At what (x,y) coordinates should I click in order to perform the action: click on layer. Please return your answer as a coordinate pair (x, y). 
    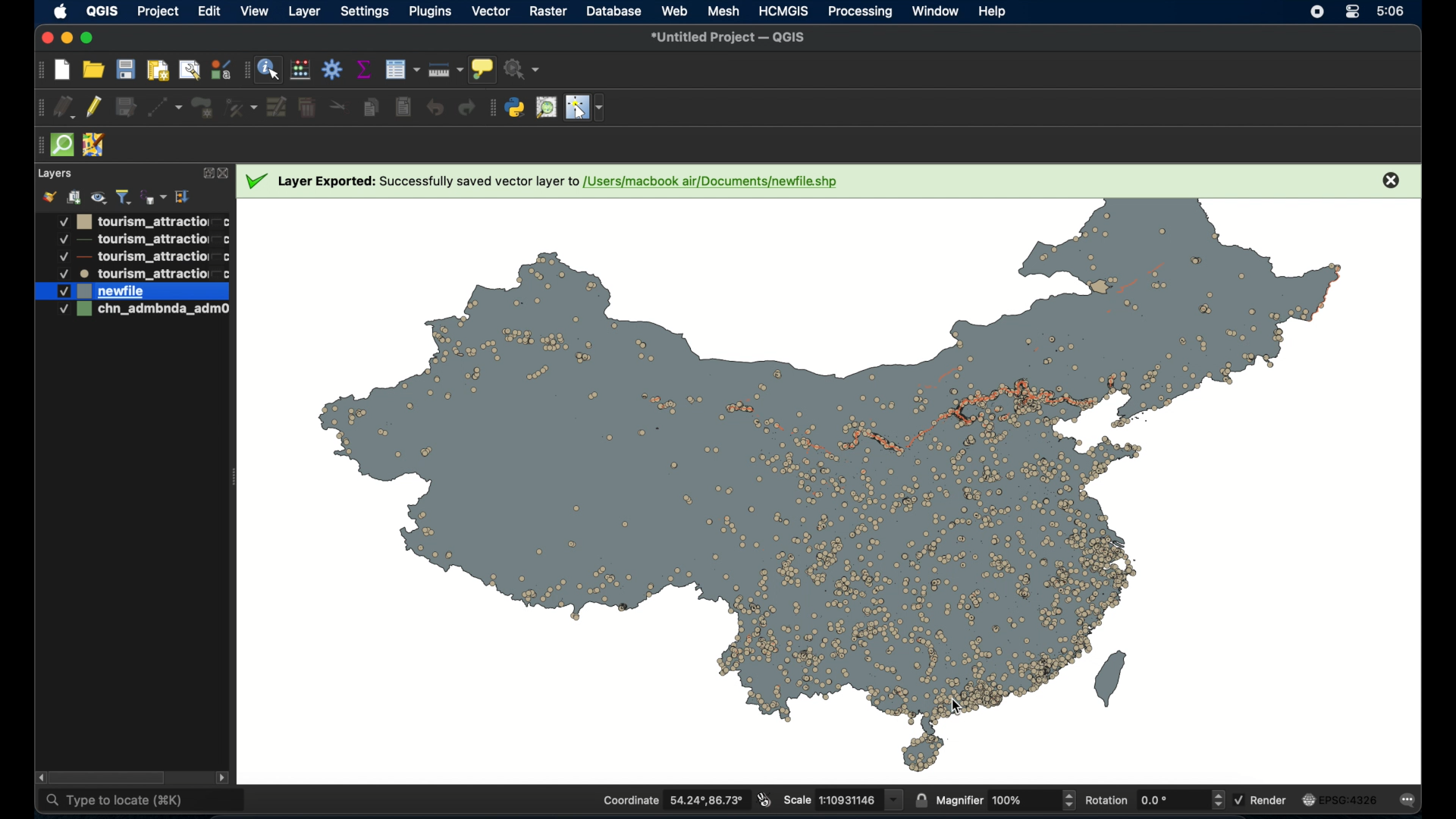
    Looking at the image, I should click on (304, 14).